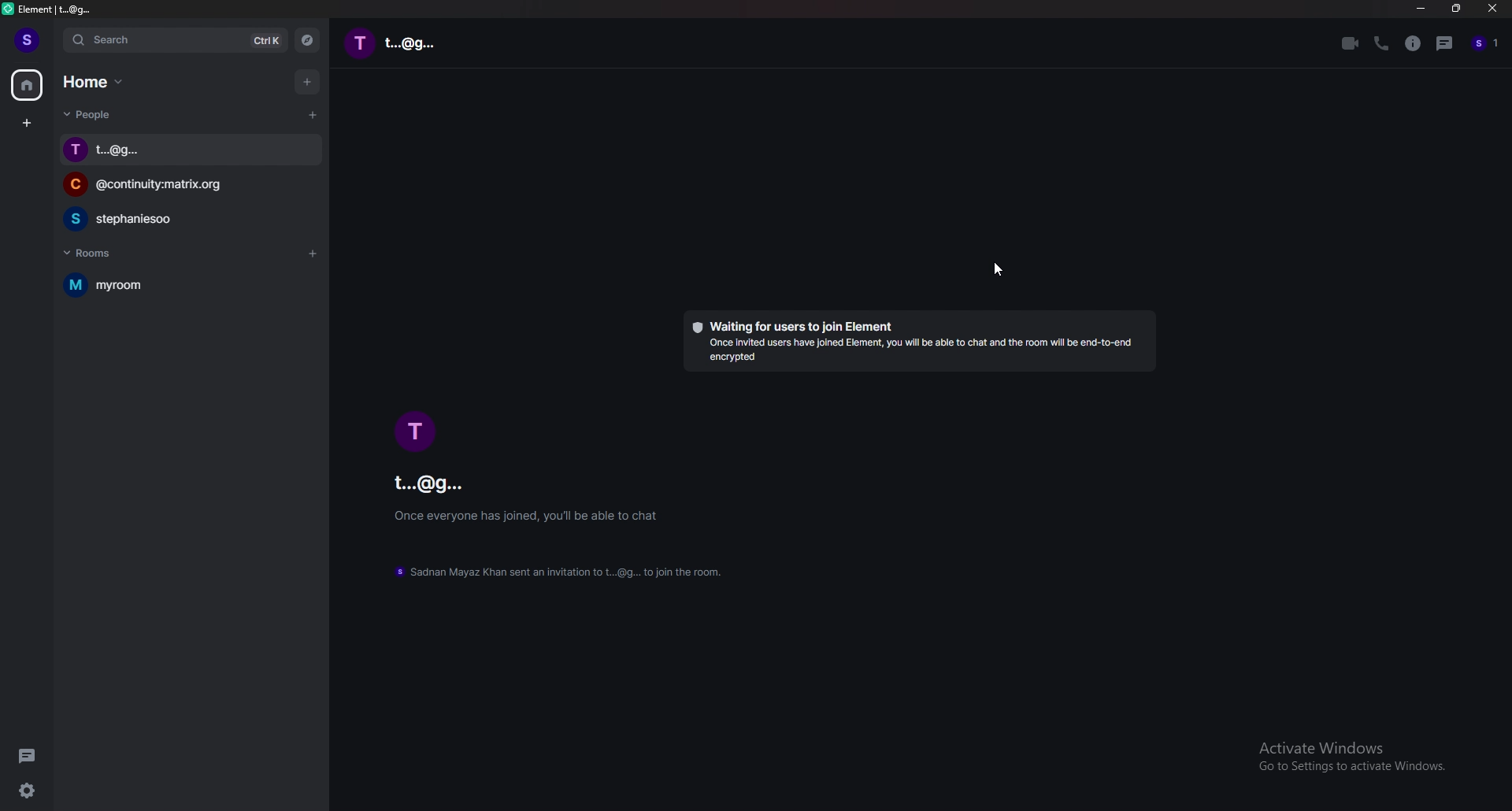  I want to click on profile, so click(28, 40).